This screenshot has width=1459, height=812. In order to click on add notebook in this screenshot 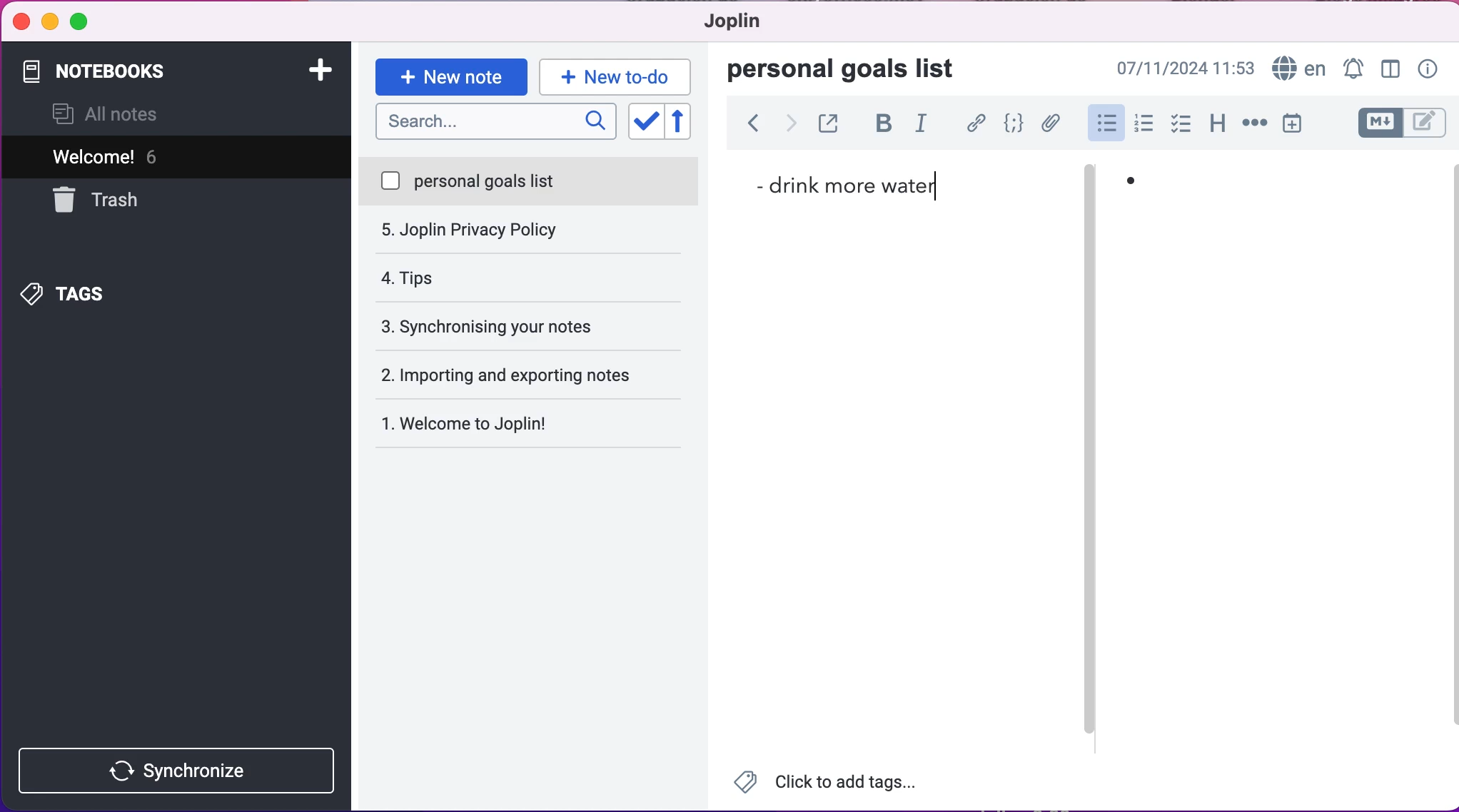, I will do `click(323, 73)`.